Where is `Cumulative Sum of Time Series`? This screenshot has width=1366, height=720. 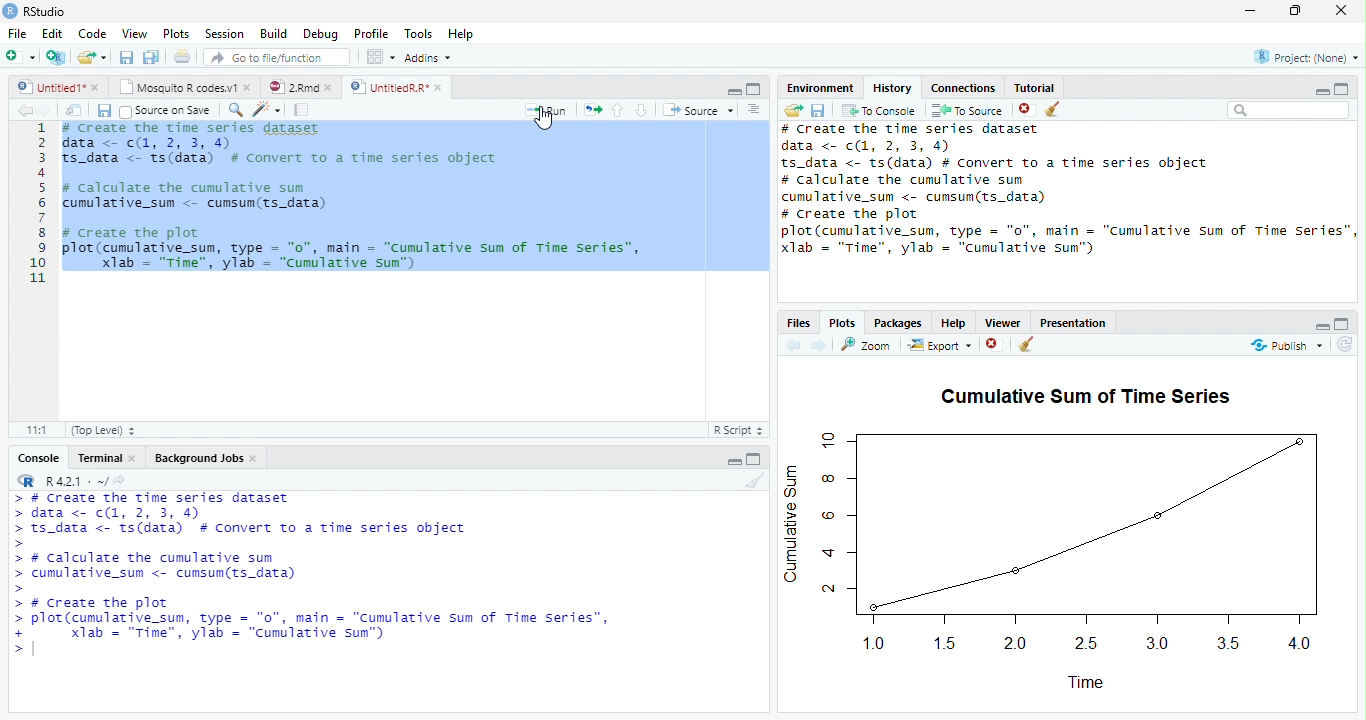 Cumulative Sum of Time Series is located at coordinates (1088, 395).